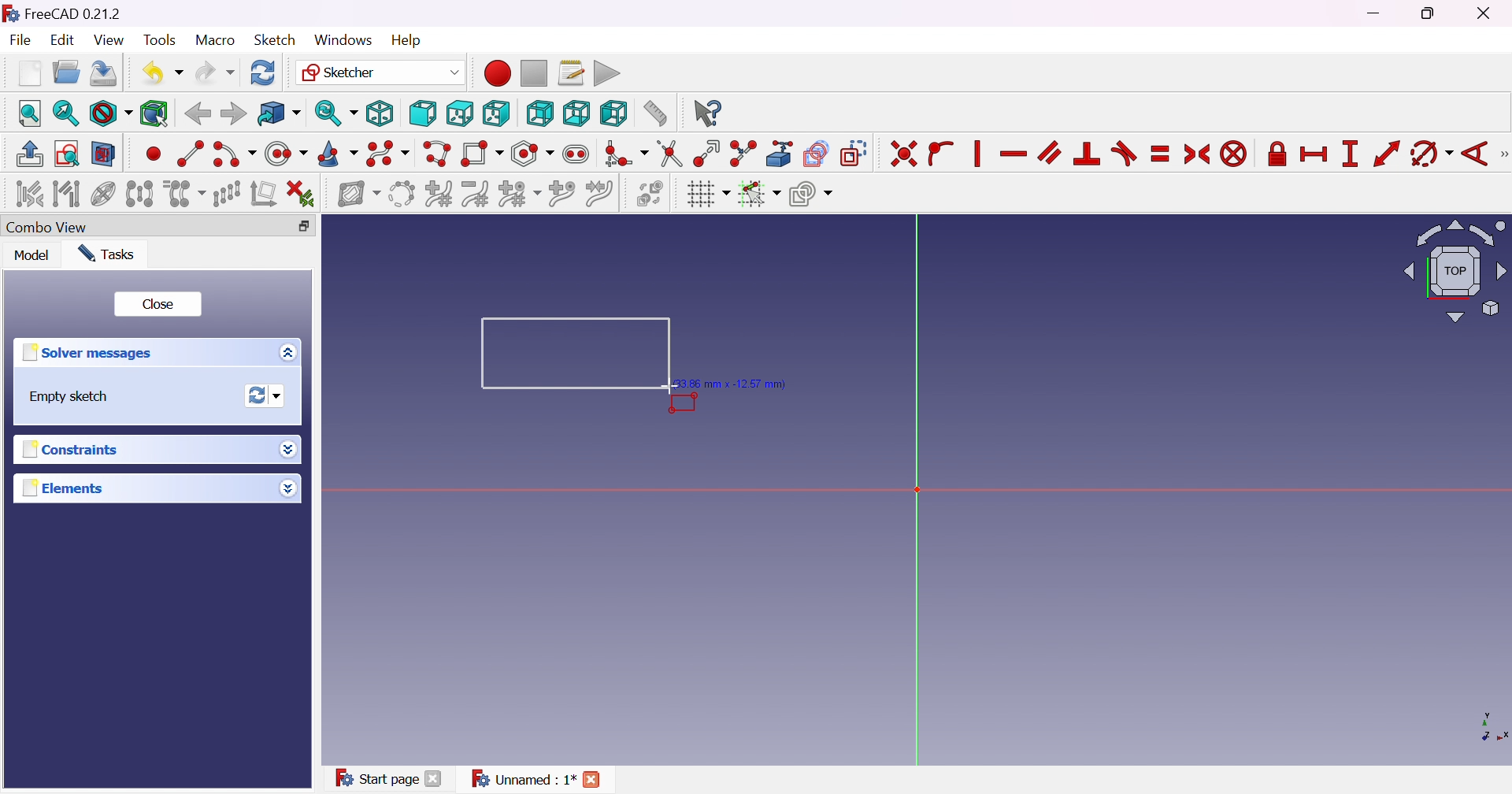 The width and height of the screenshot is (1512, 794). Describe the element at coordinates (30, 72) in the screenshot. I see `New` at that location.